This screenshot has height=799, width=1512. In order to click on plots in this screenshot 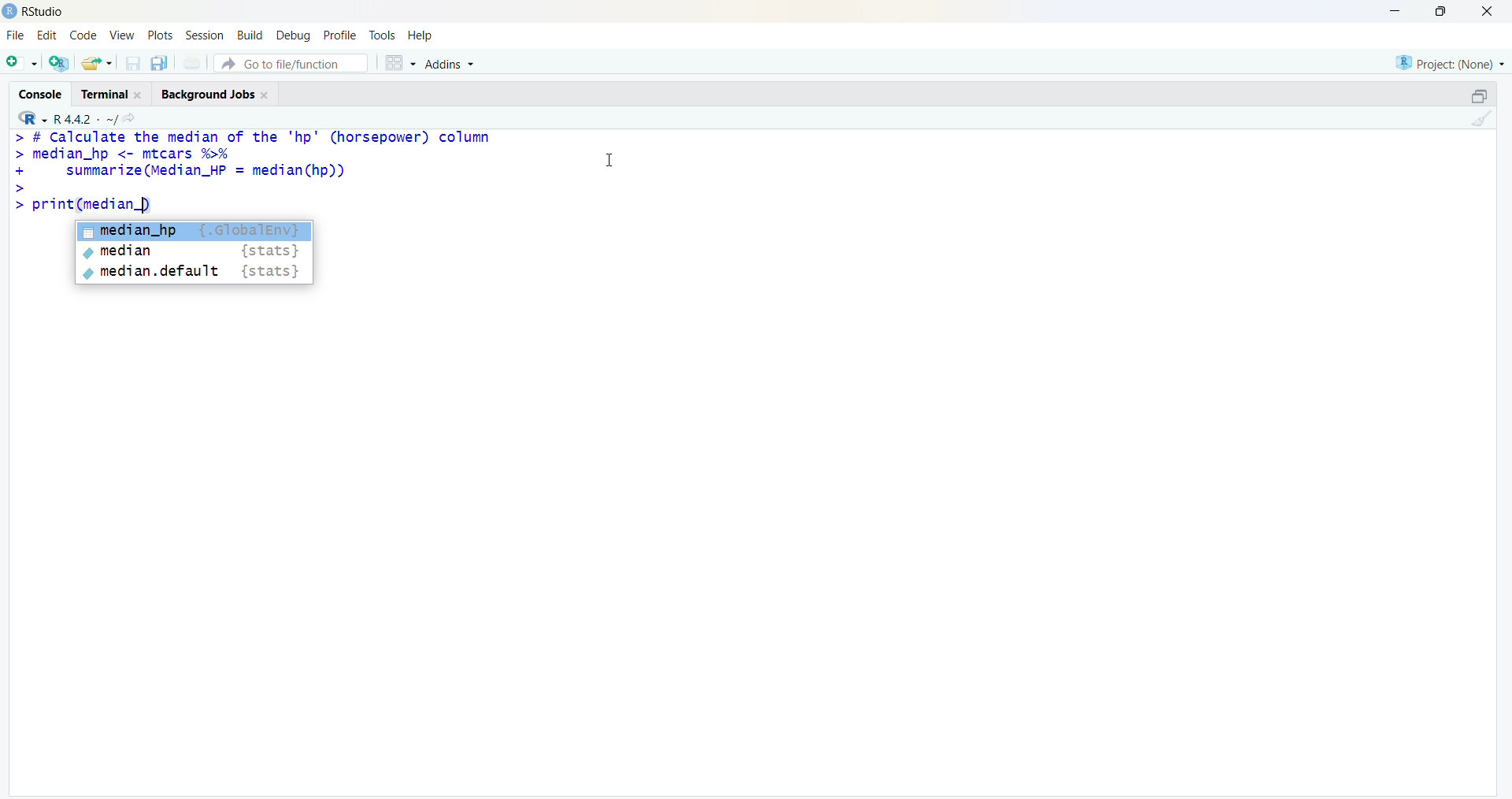, I will do `click(160, 35)`.